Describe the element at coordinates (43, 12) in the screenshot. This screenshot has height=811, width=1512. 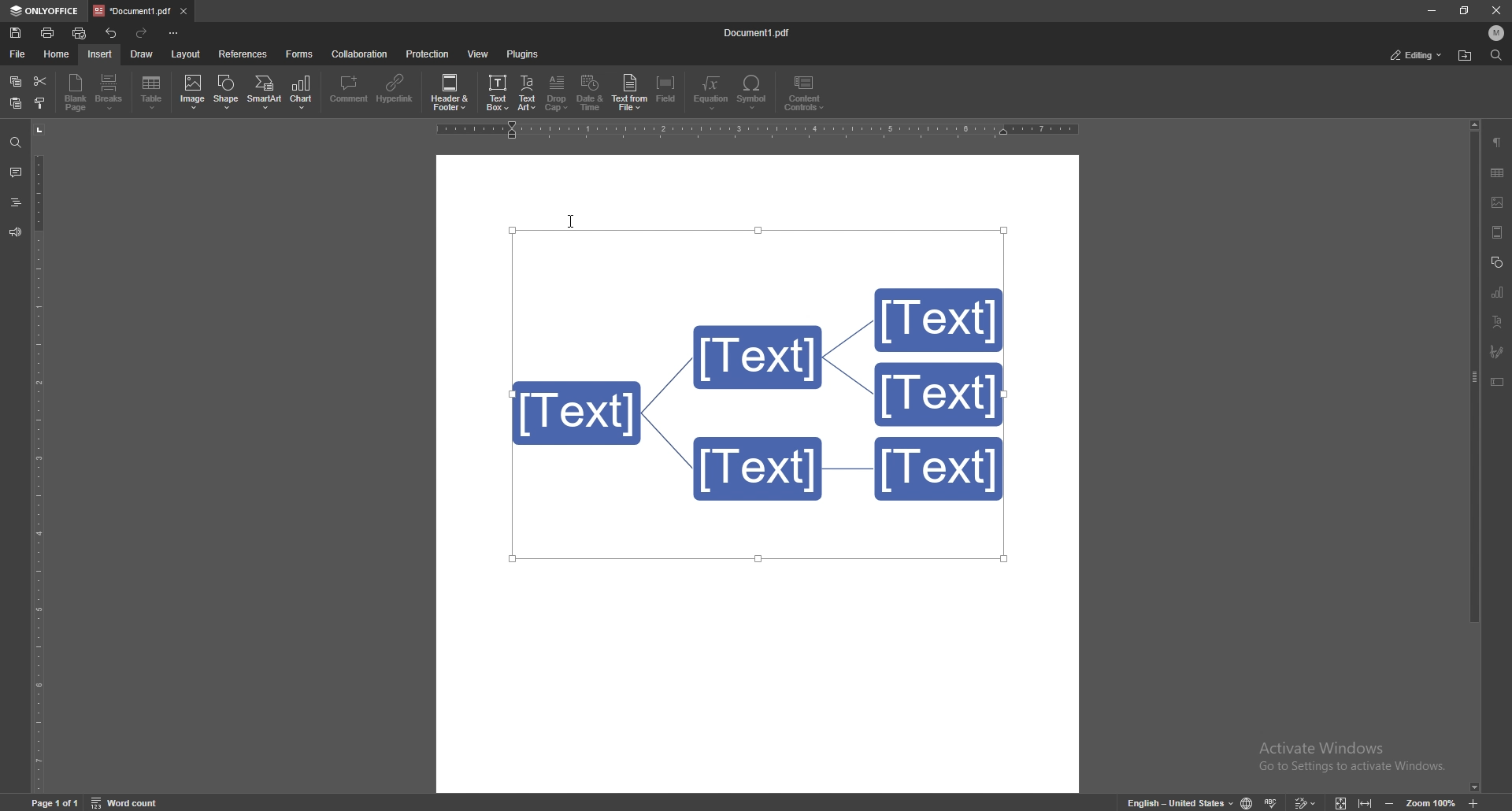
I see `onlyoffice` at that location.